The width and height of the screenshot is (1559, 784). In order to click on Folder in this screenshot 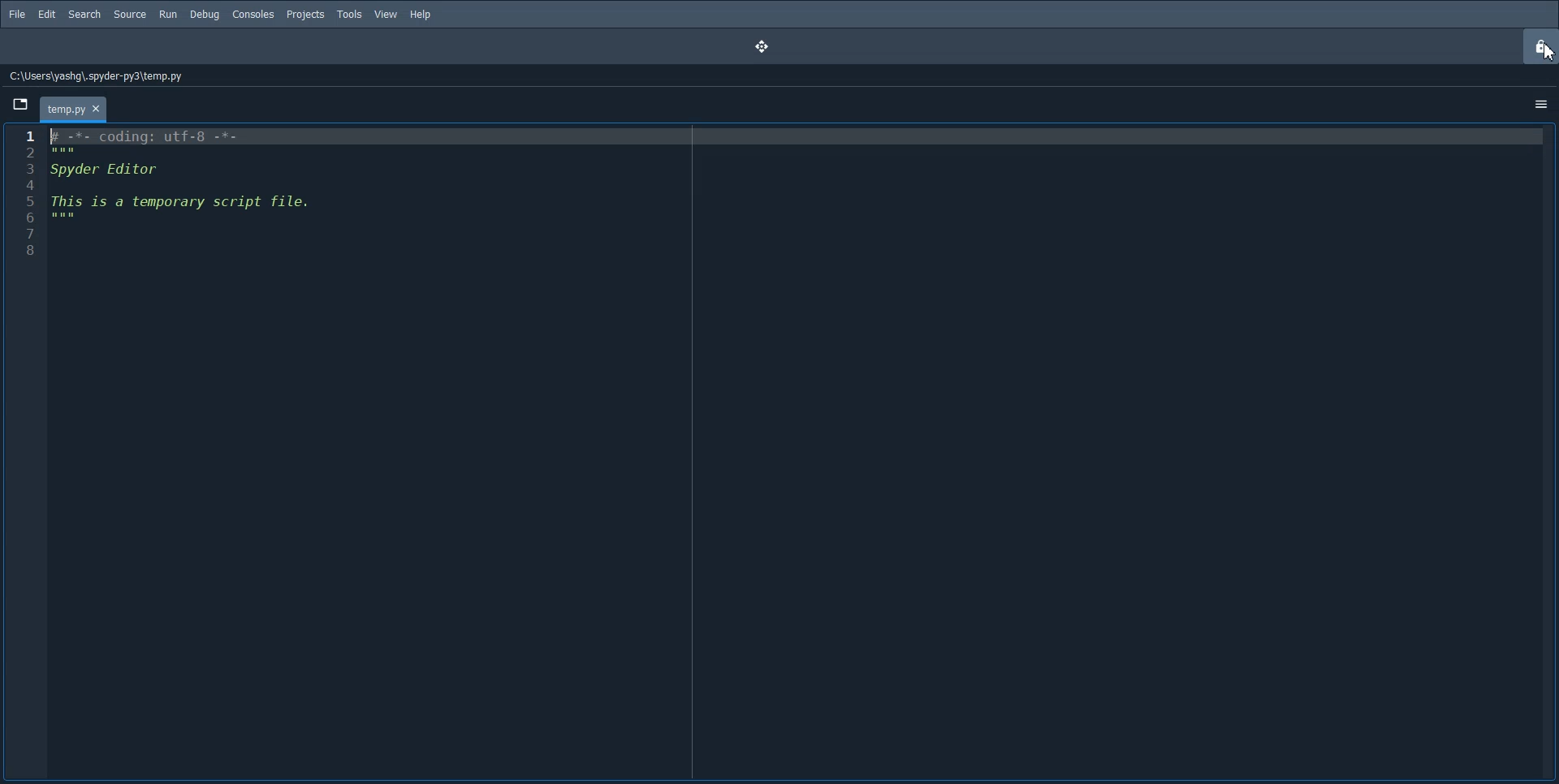, I will do `click(75, 110)`.